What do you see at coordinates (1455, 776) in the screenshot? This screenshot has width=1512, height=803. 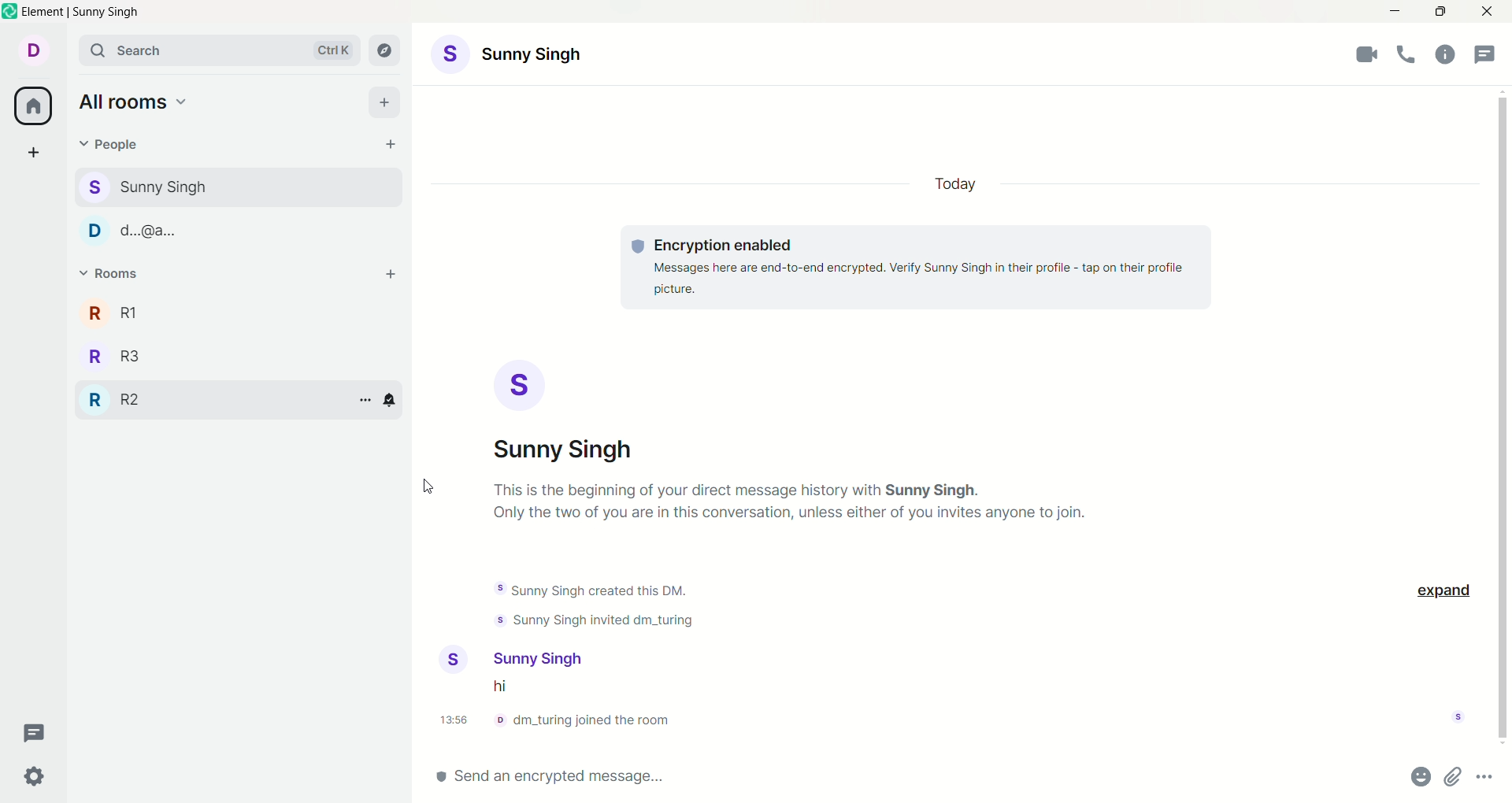 I see `attachment` at bounding box center [1455, 776].